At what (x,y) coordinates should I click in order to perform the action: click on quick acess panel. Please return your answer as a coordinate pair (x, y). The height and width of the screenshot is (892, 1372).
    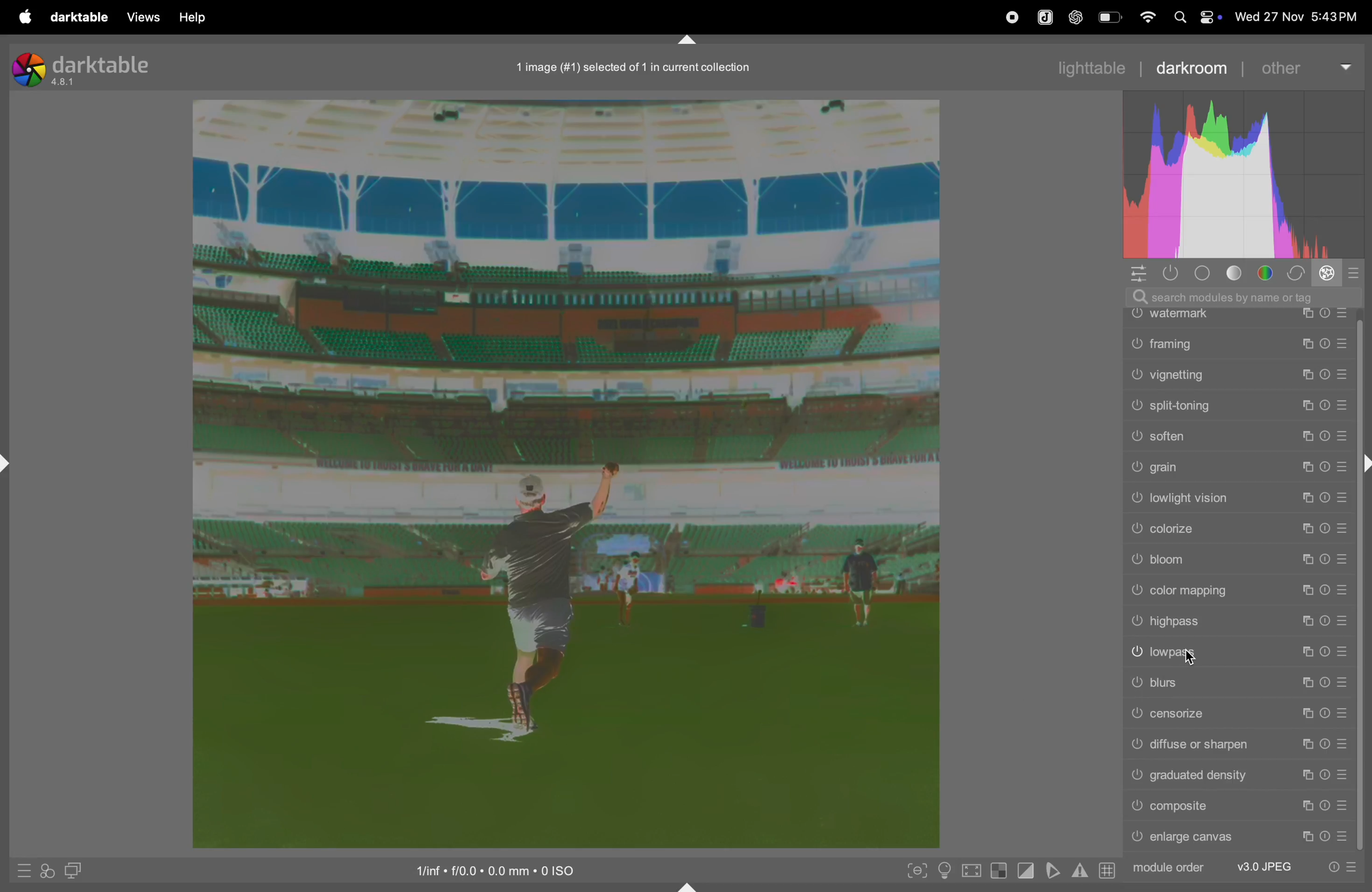
    Looking at the image, I should click on (1134, 274).